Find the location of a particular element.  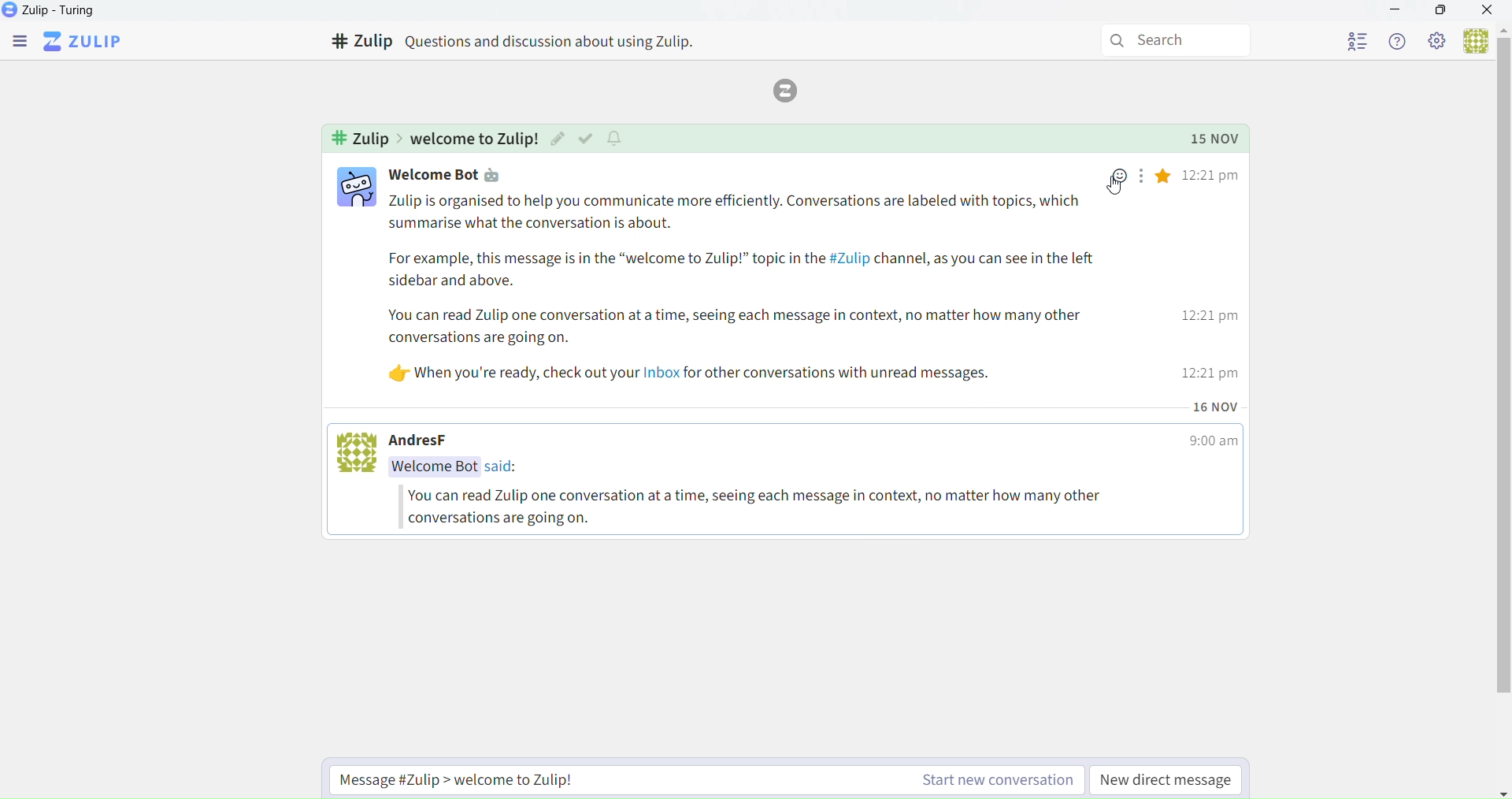

 AndresF is located at coordinates (429, 440).